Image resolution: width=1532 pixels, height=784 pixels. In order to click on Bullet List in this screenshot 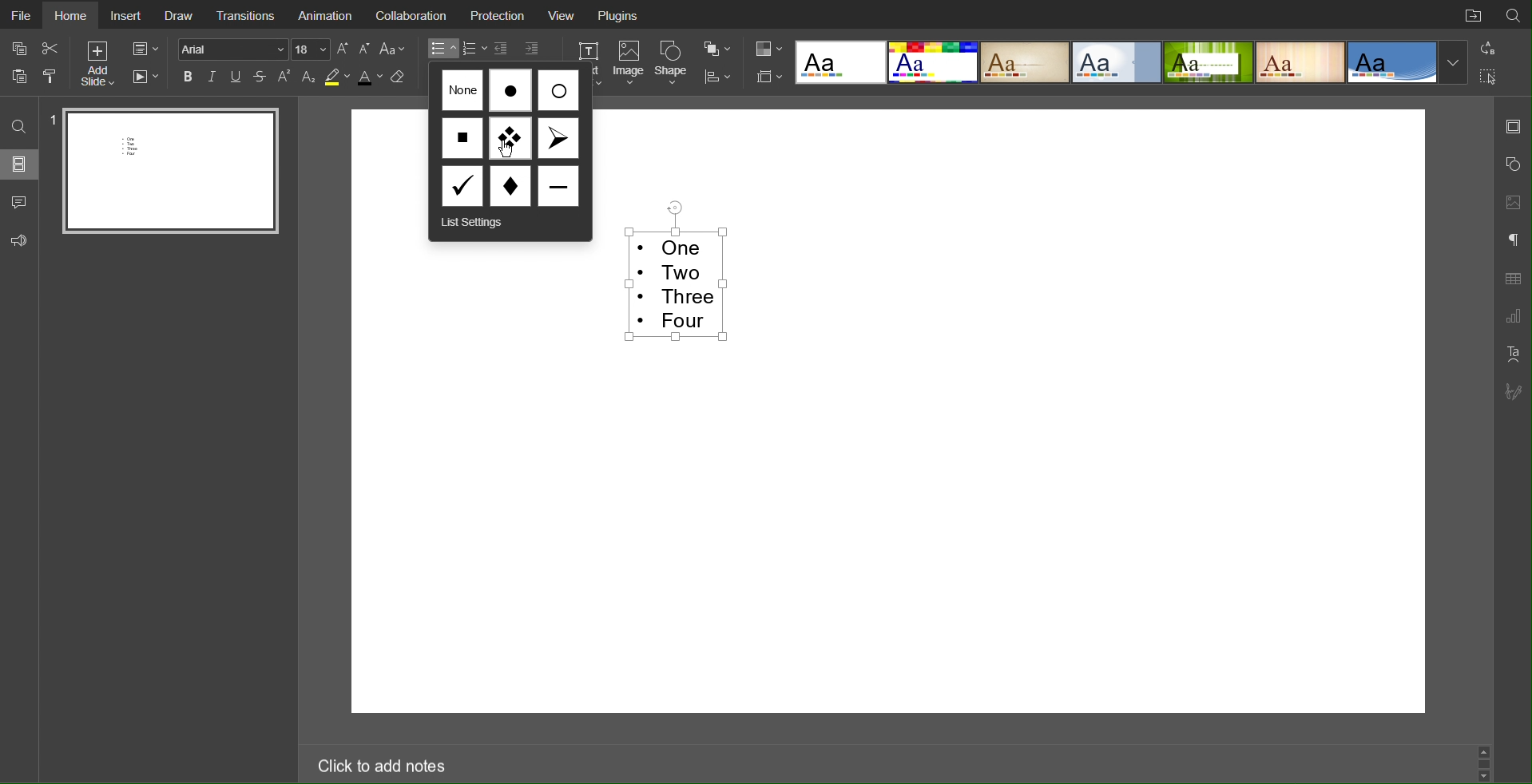, I will do `click(444, 49)`.